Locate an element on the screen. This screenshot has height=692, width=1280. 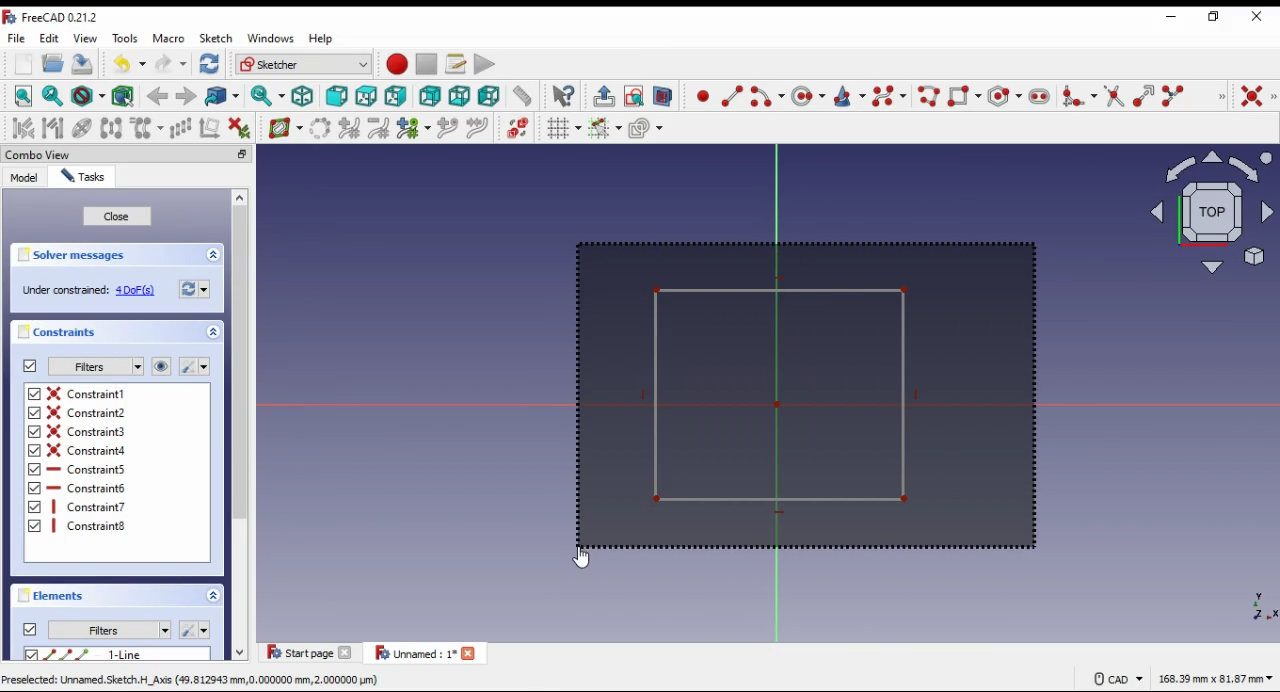
refresh is located at coordinates (195, 288).